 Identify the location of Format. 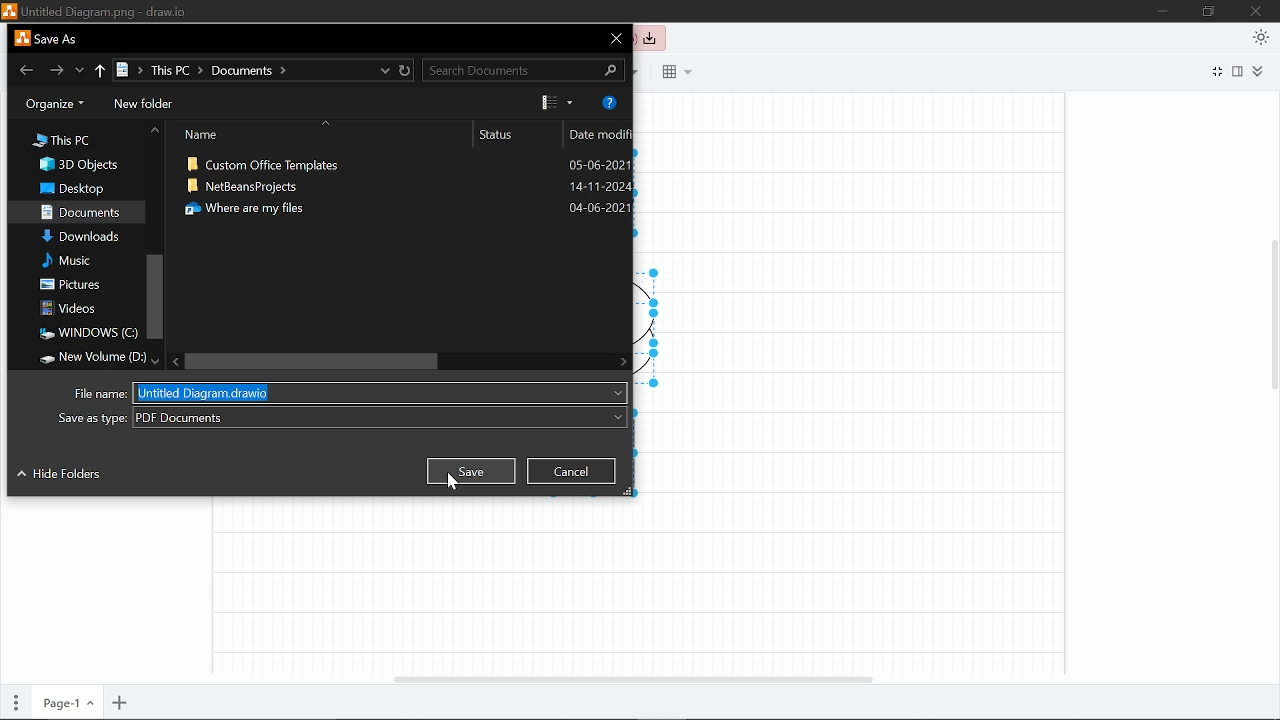
(1237, 72).